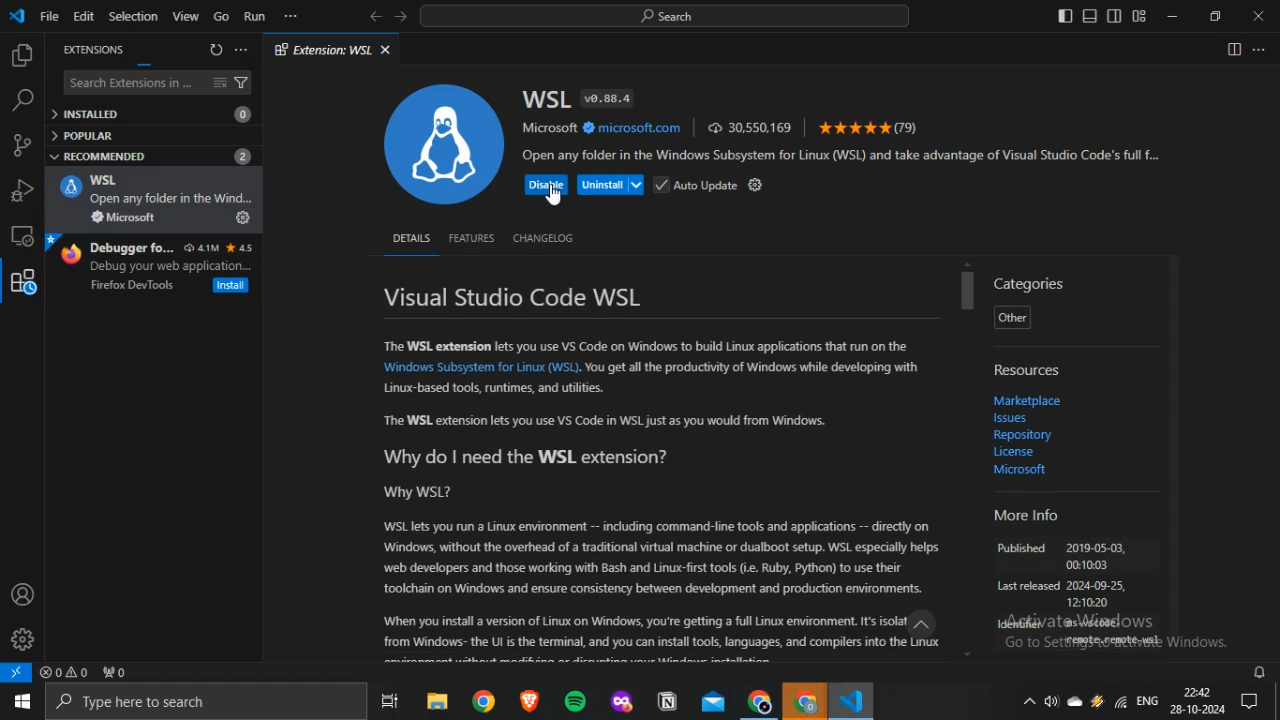 This screenshot has height=720, width=1280. I want to click on Ws-vscode-, so click(1089, 624).